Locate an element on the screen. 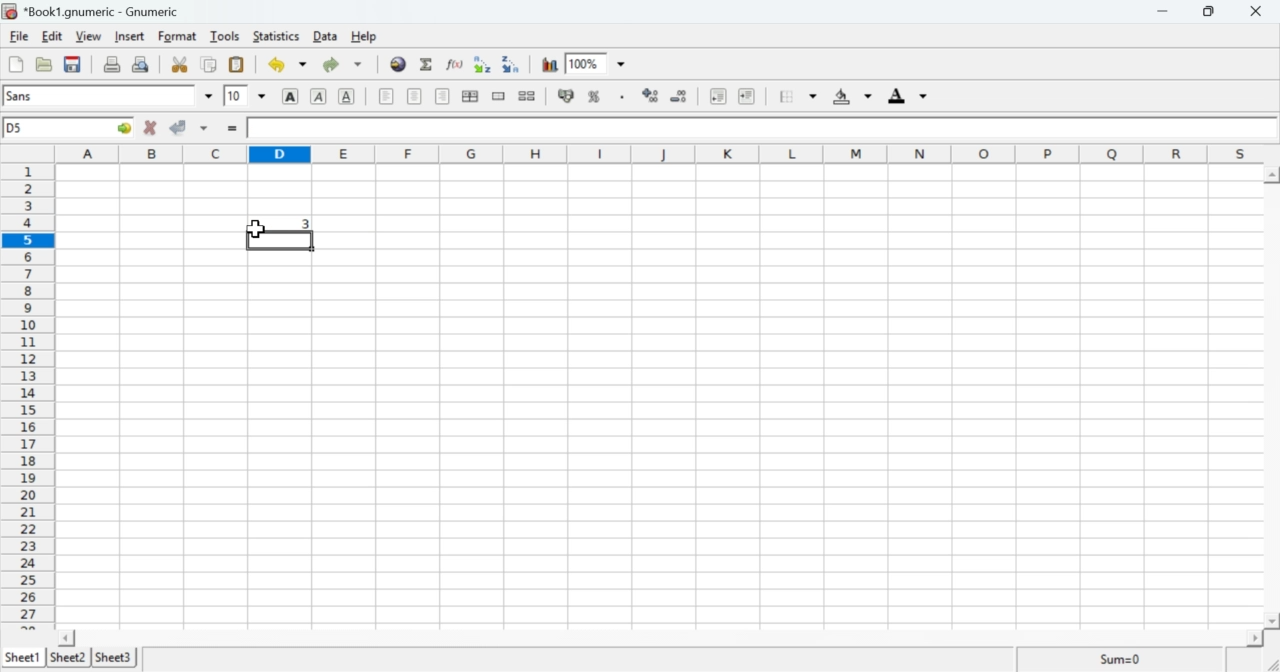  Font size is located at coordinates (245, 97).